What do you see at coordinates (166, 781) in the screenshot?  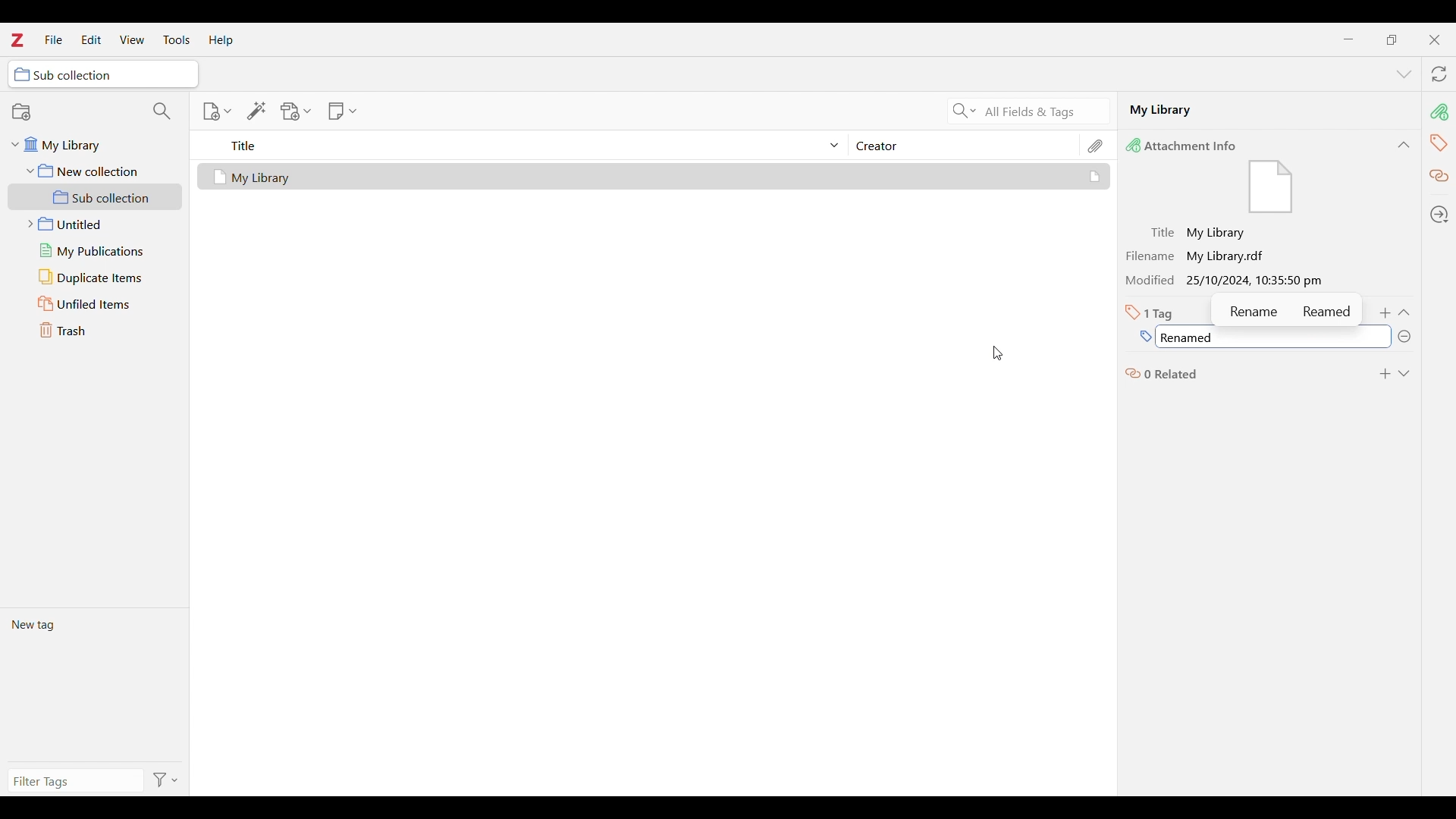 I see `Filter options` at bounding box center [166, 781].